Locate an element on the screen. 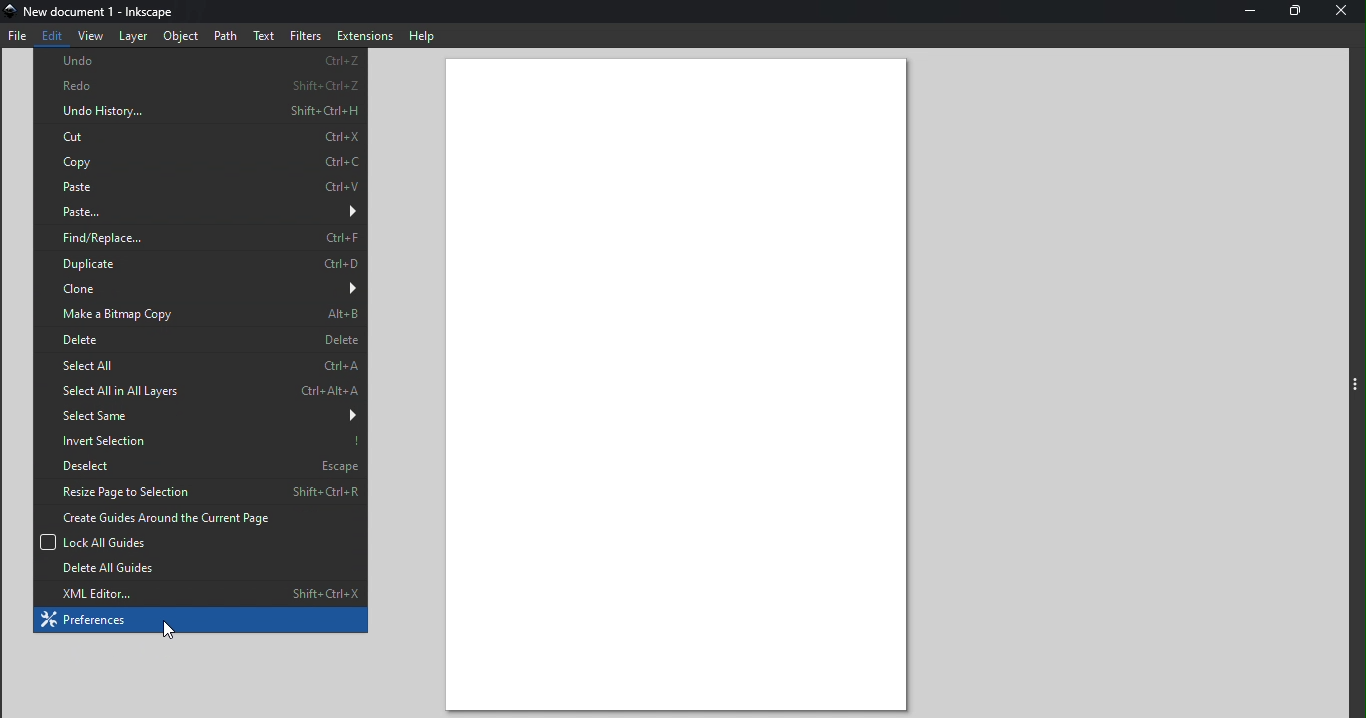 The height and width of the screenshot is (718, 1366). Path is located at coordinates (224, 35).